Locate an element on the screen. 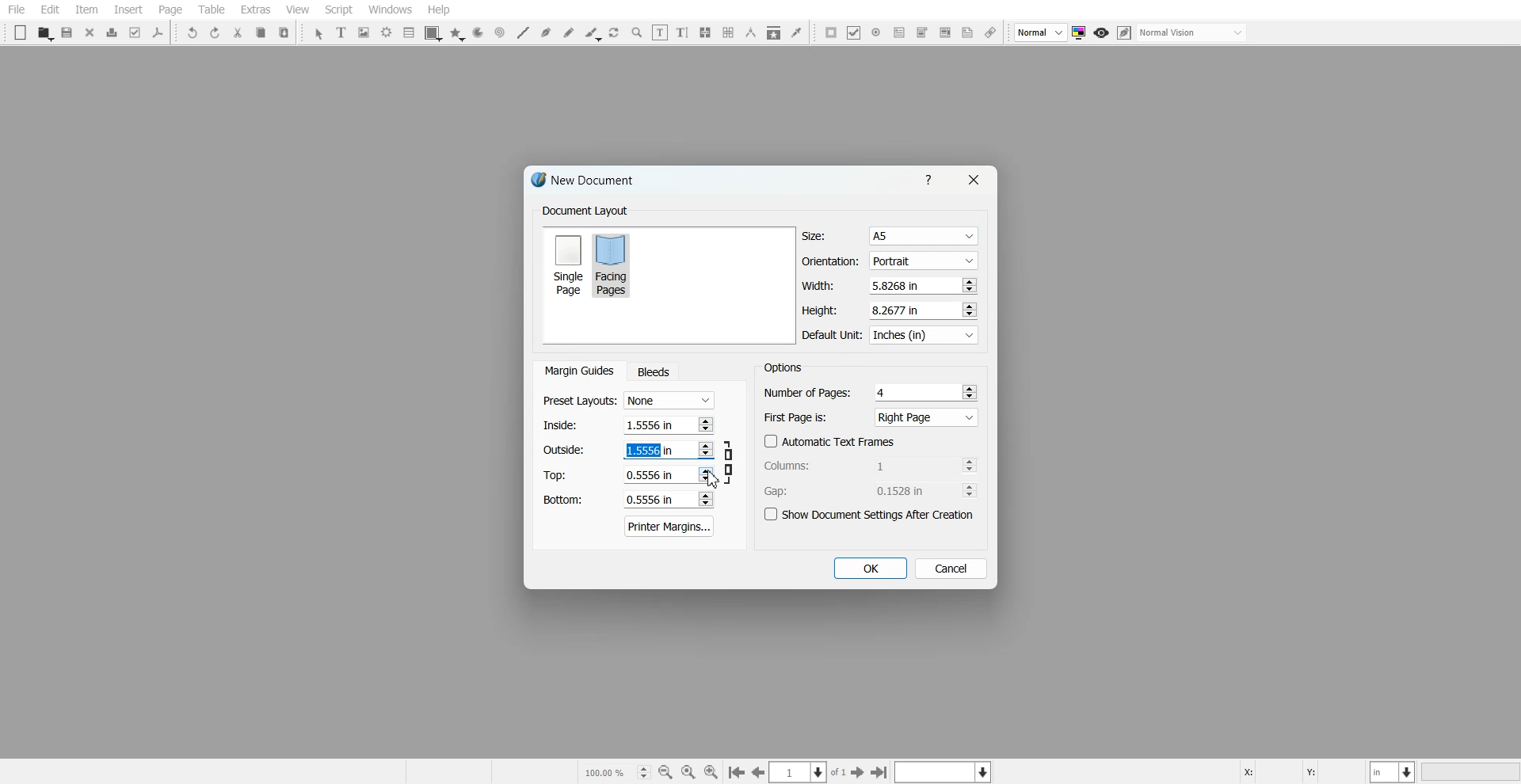 This screenshot has height=784, width=1521. Go to the first page is located at coordinates (881, 772).